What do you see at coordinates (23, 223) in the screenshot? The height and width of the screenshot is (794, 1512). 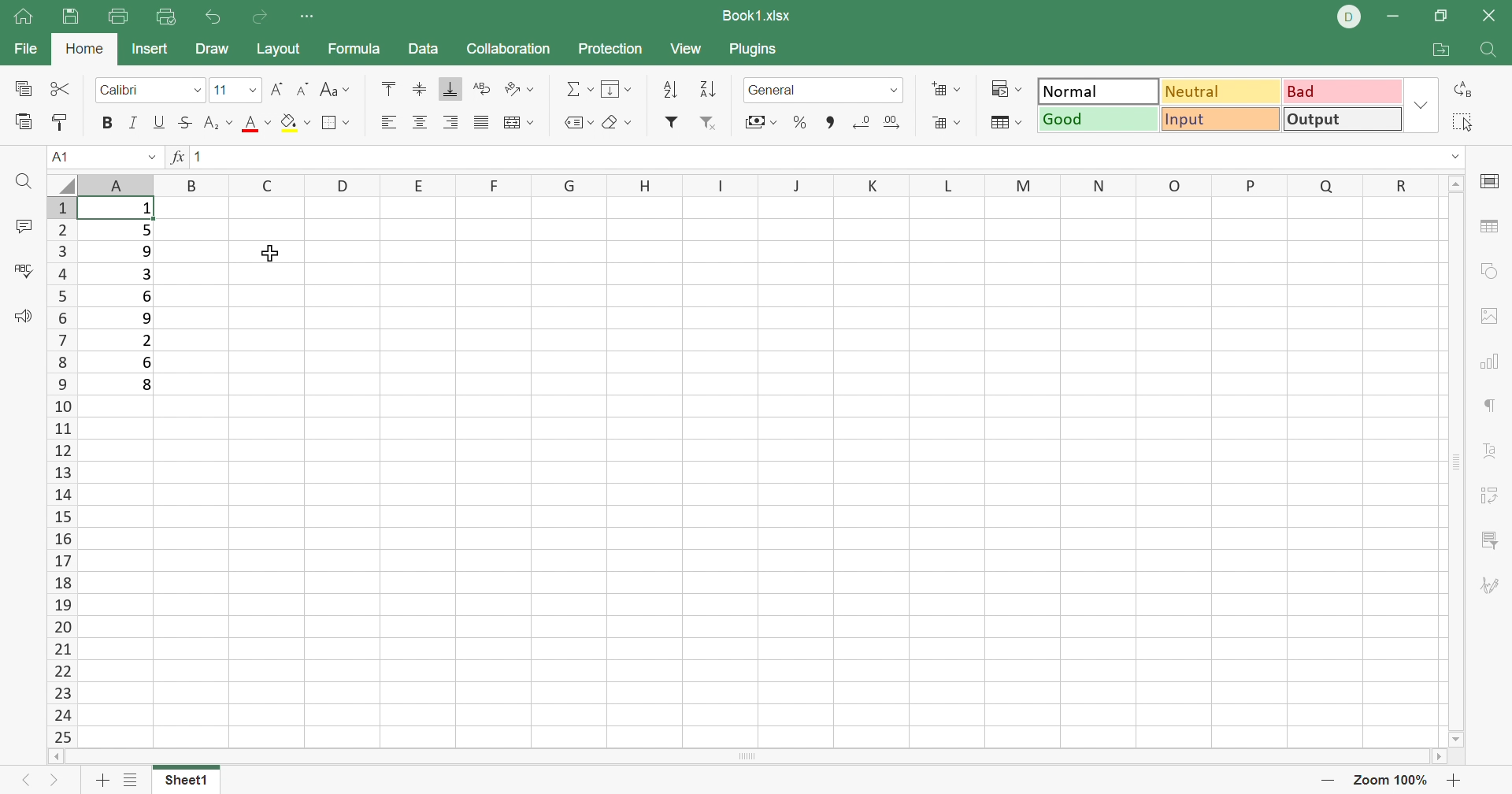 I see `Comments` at bounding box center [23, 223].